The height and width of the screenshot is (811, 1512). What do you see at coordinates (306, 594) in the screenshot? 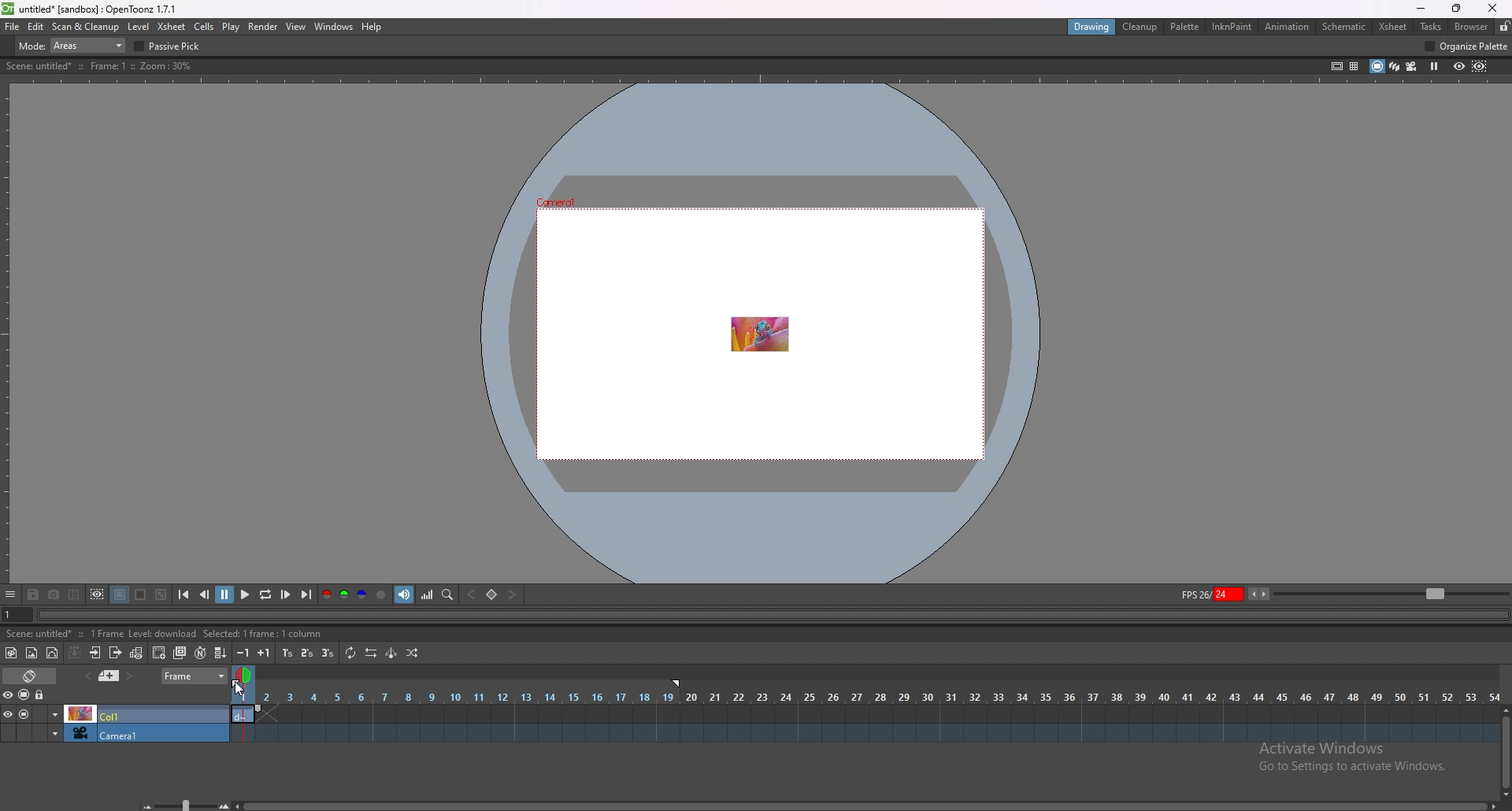
I see `last frame` at bounding box center [306, 594].